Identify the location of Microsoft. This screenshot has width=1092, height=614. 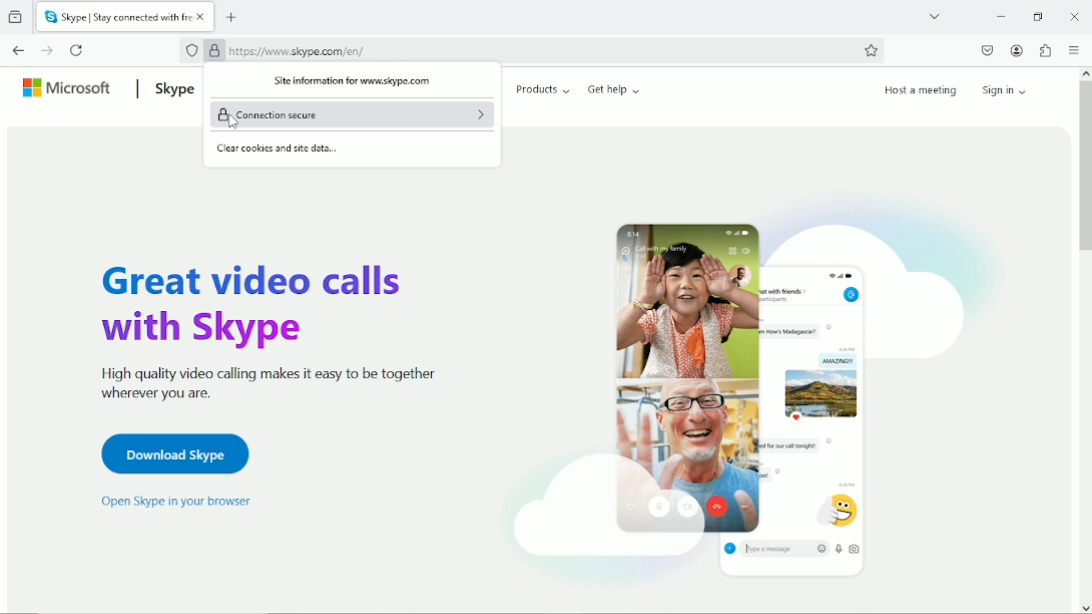
(68, 87).